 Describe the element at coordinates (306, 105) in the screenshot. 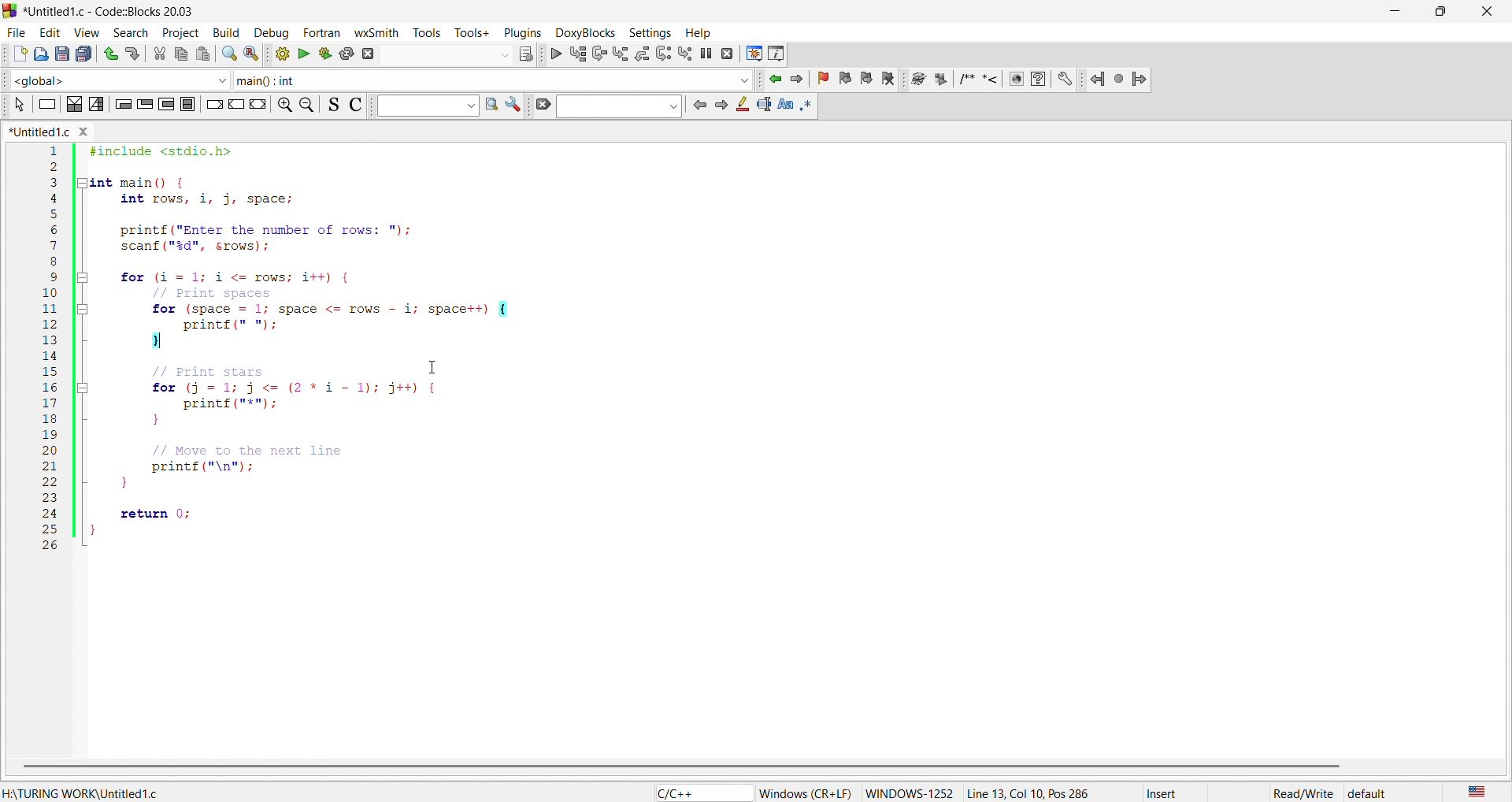

I see `zoom out` at that location.